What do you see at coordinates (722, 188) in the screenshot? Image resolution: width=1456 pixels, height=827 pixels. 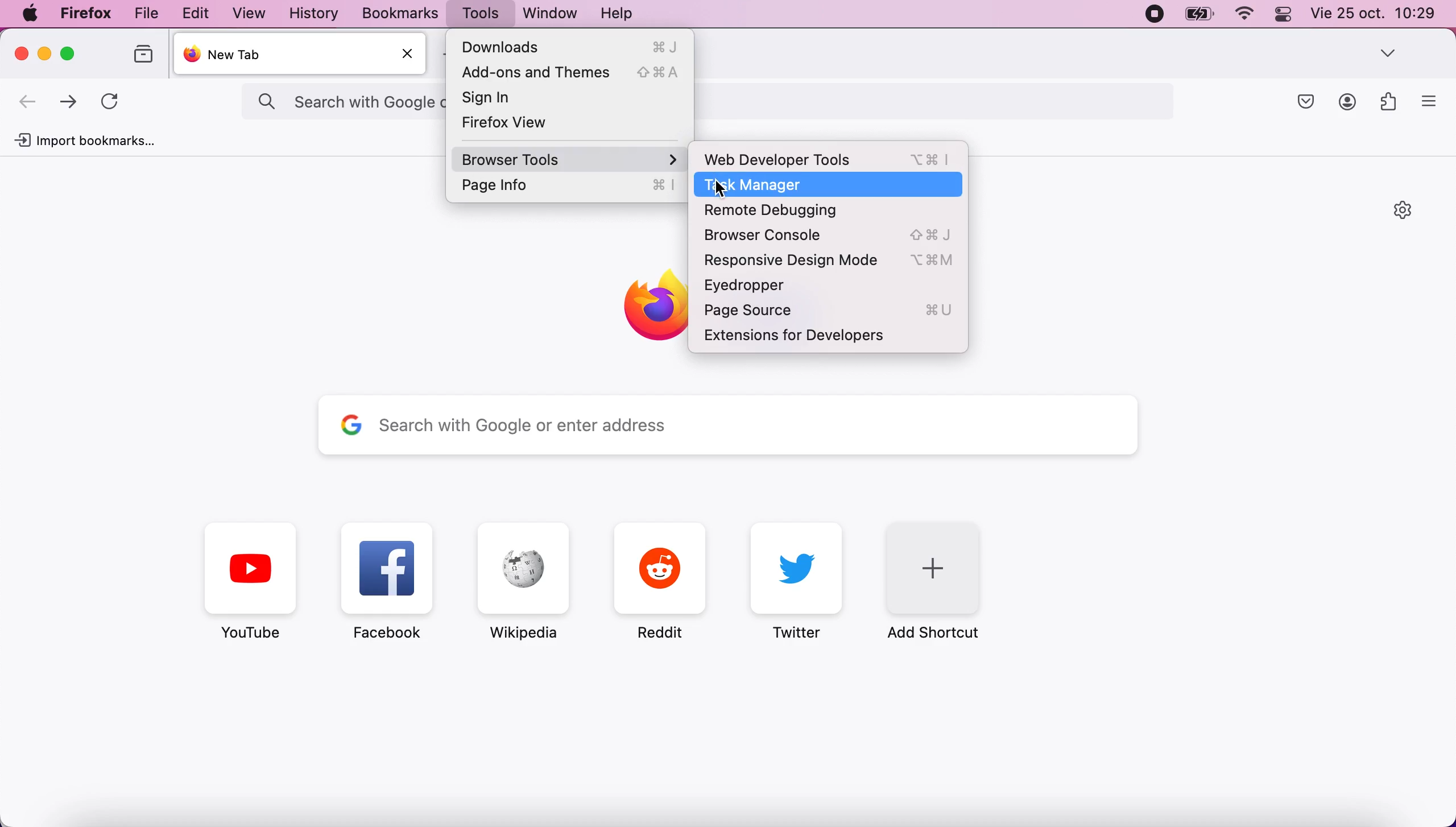 I see `Cursor` at bounding box center [722, 188].